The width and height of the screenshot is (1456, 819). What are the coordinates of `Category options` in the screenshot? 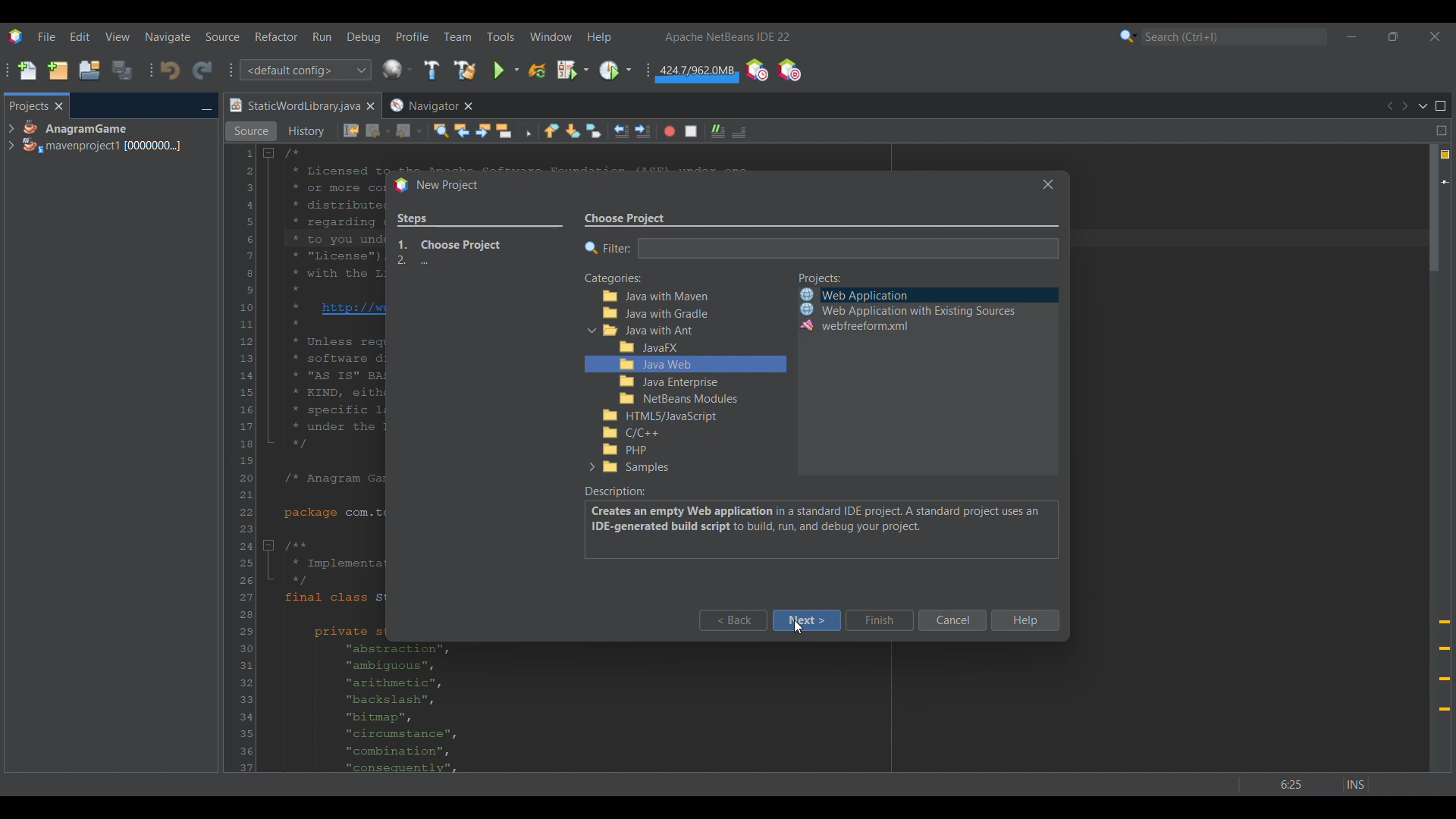 It's located at (694, 382).